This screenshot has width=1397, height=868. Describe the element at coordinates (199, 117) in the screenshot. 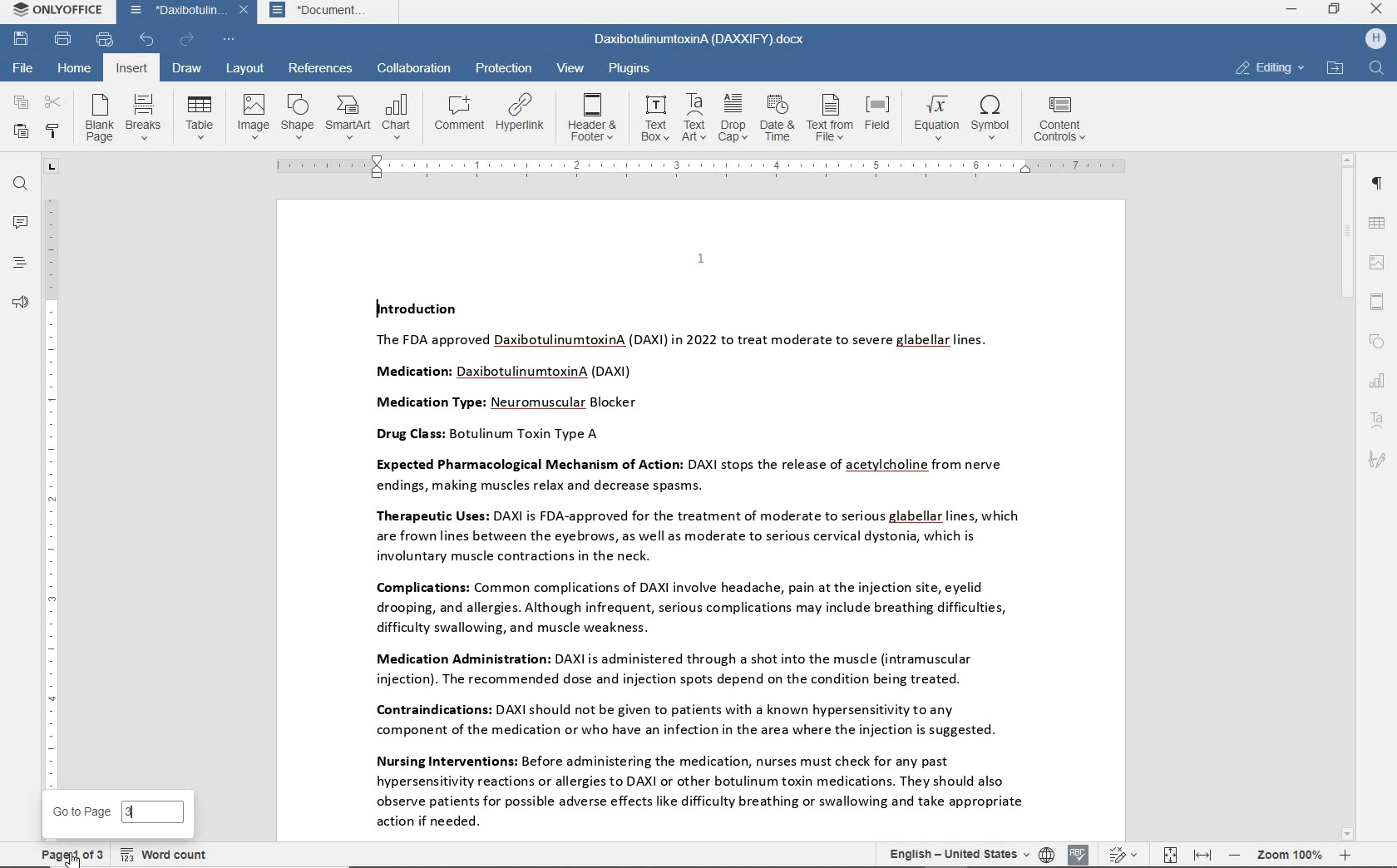

I see `table` at that location.